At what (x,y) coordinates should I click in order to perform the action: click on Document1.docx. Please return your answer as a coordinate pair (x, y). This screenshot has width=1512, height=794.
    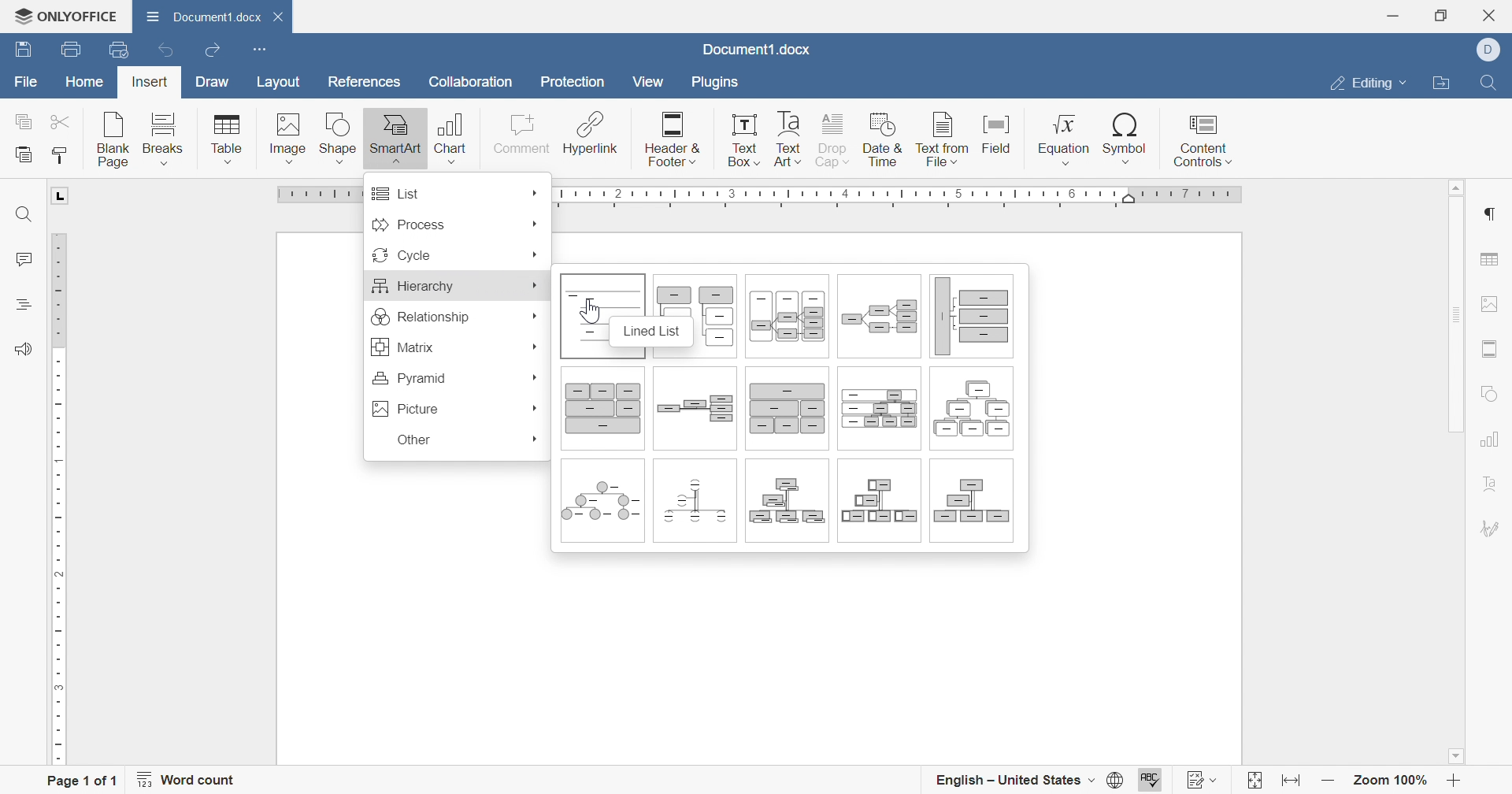
    Looking at the image, I should click on (754, 49).